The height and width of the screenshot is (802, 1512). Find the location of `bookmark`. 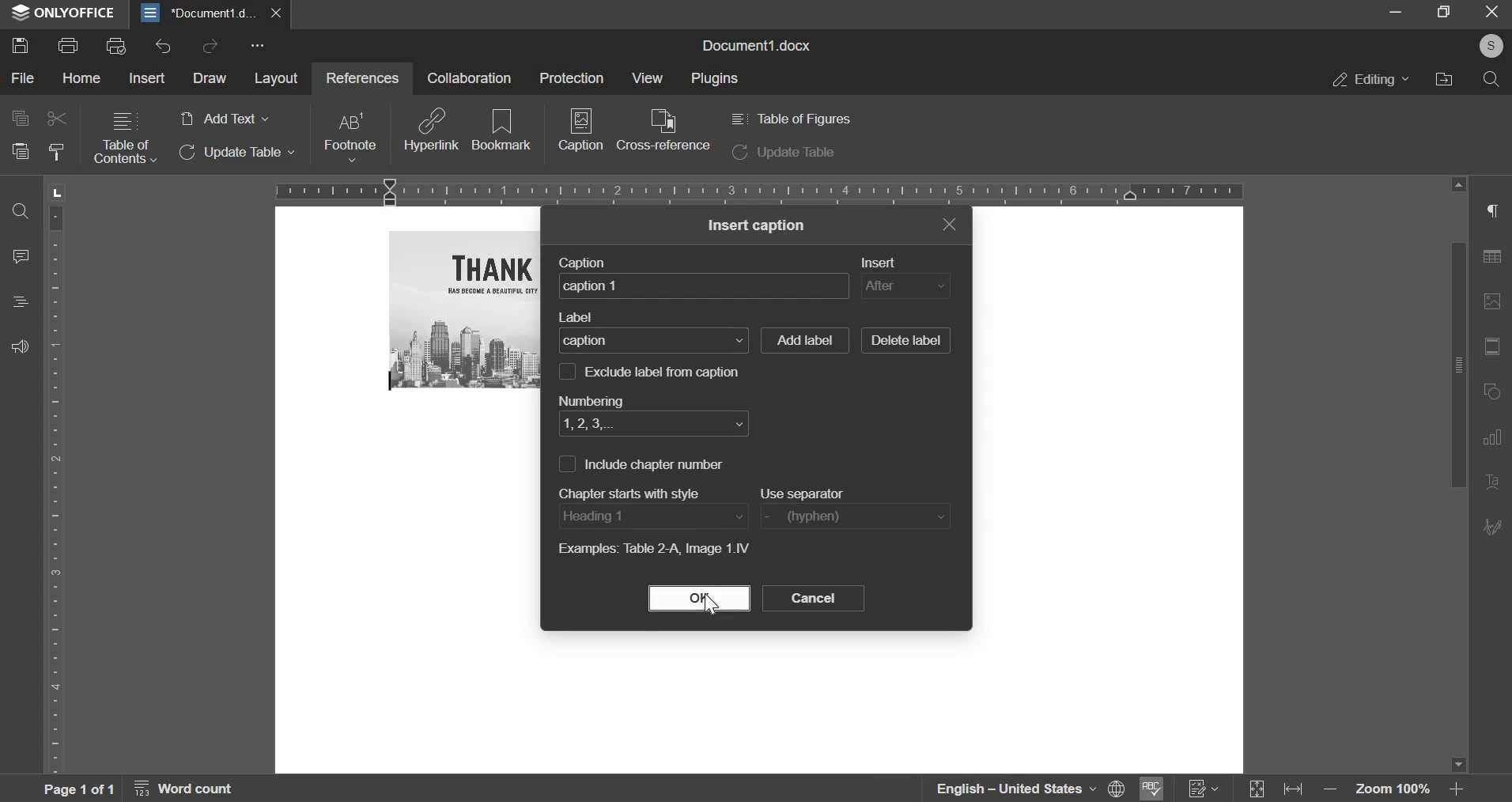

bookmark is located at coordinates (502, 128).